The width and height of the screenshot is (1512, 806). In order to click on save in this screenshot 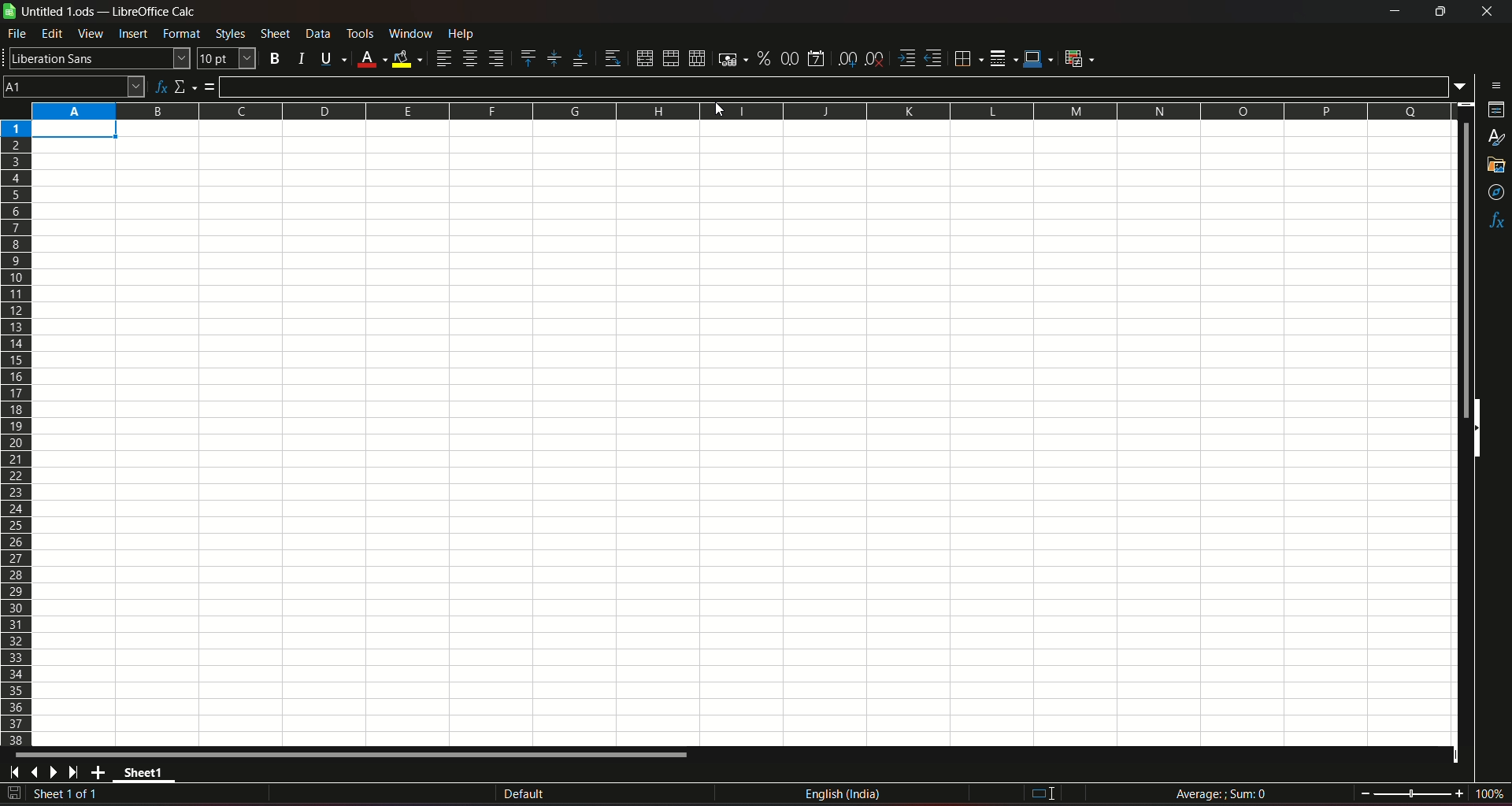, I will do `click(14, 793)`.